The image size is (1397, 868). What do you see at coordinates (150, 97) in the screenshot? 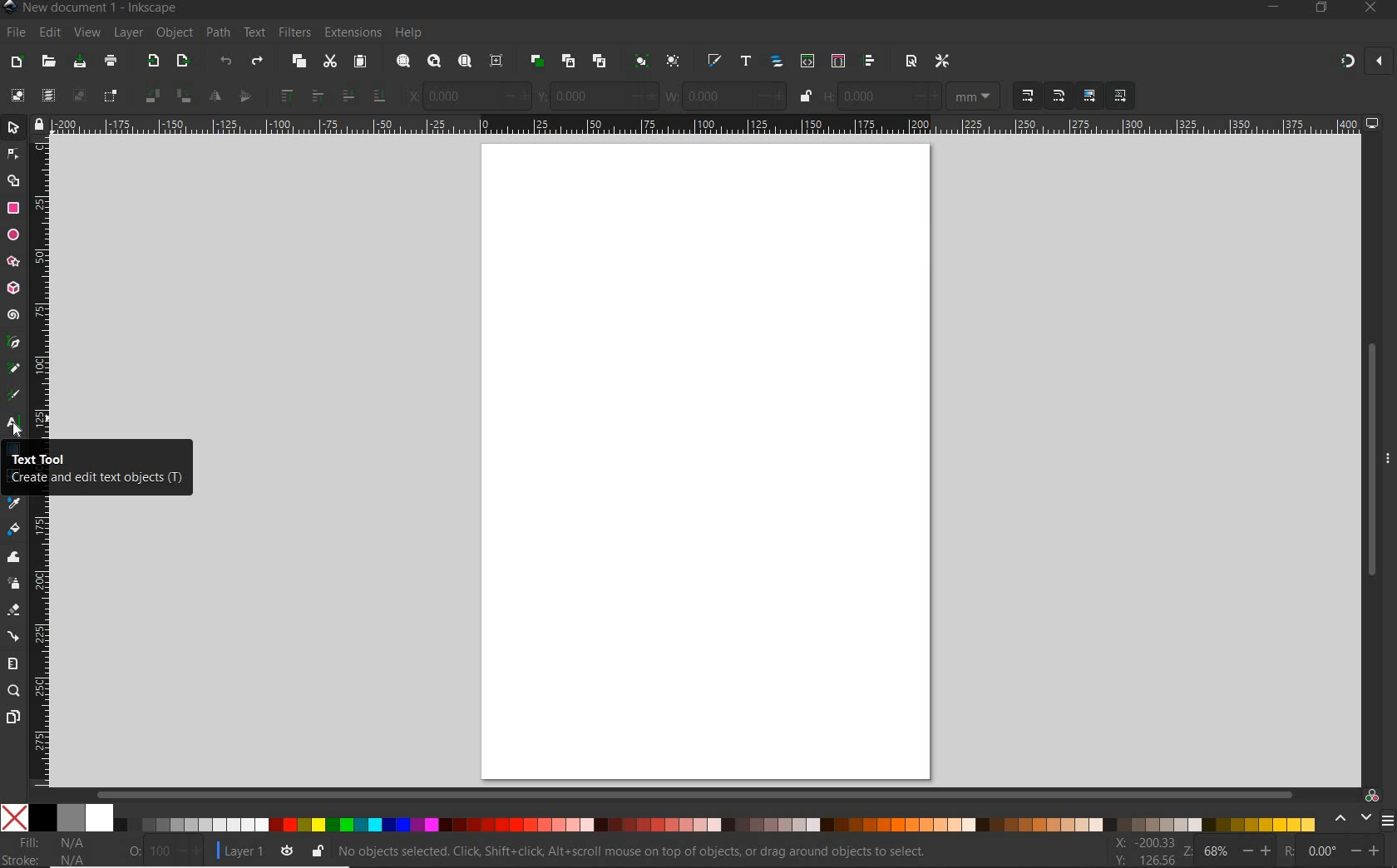
I see `object rotate` at bounding box center [150, 97].